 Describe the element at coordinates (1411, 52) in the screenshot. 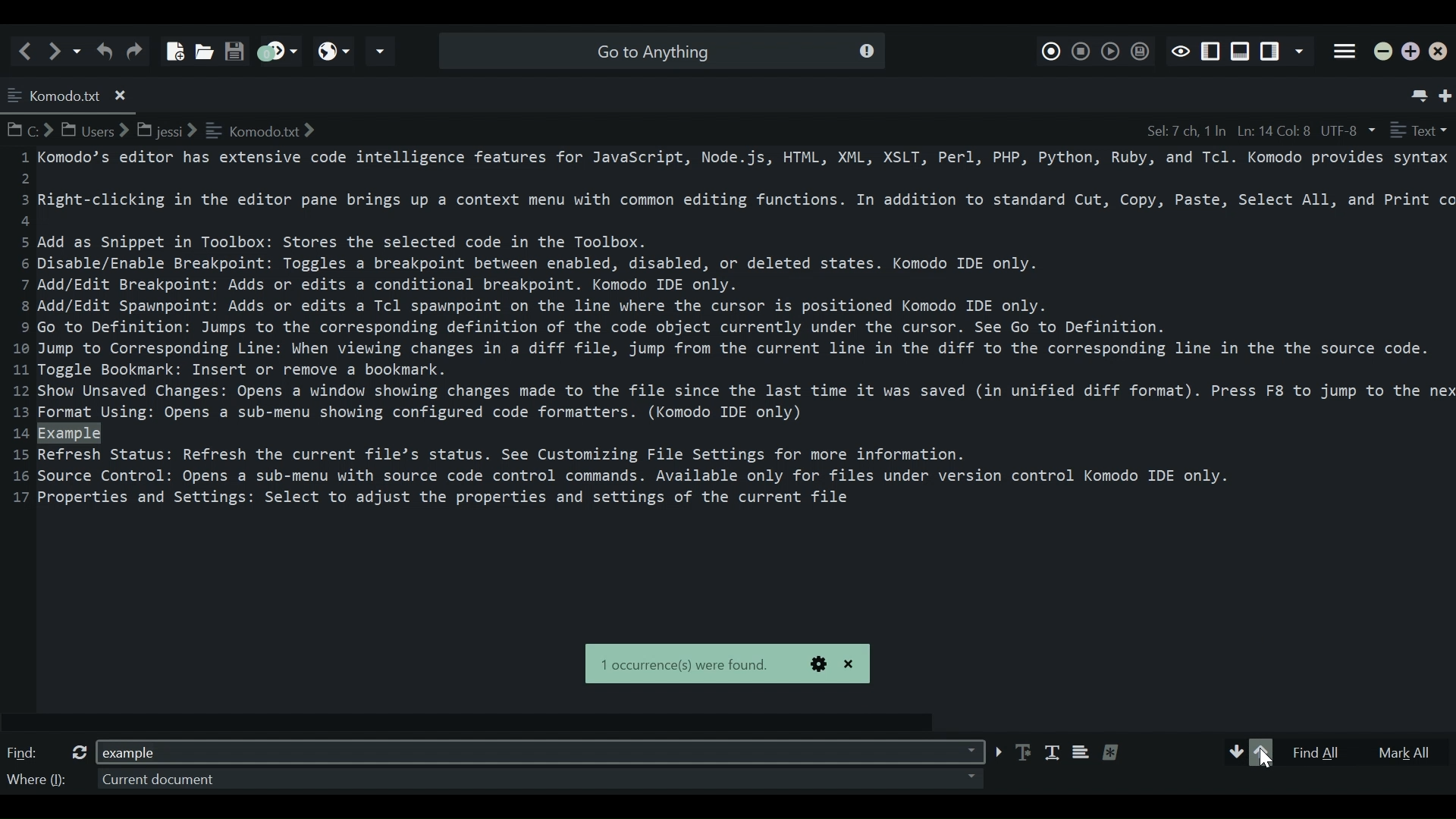

I see `Restore` at that location.